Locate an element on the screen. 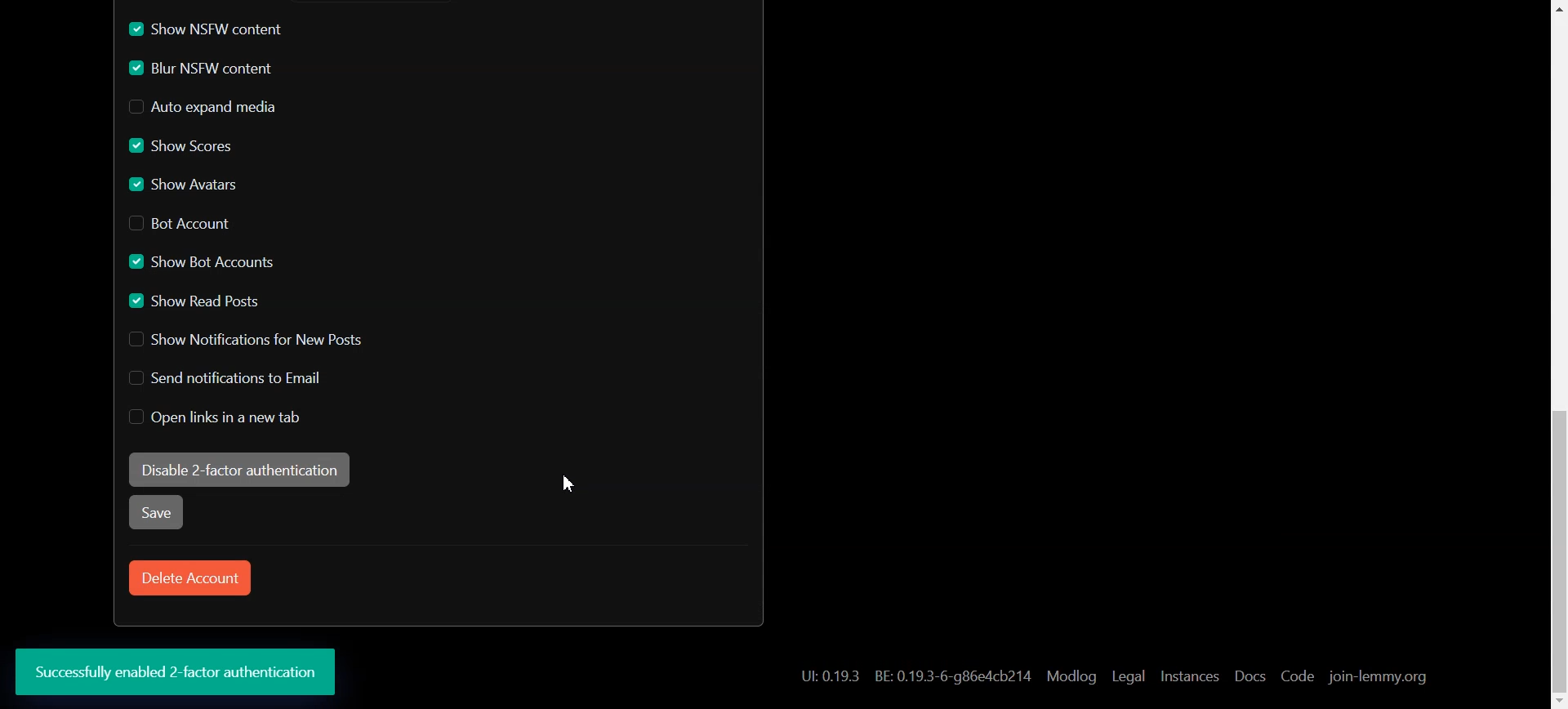 This screenshot has height=709, width=1568. Enable Show Avatars is located at coordinates (193, 183).